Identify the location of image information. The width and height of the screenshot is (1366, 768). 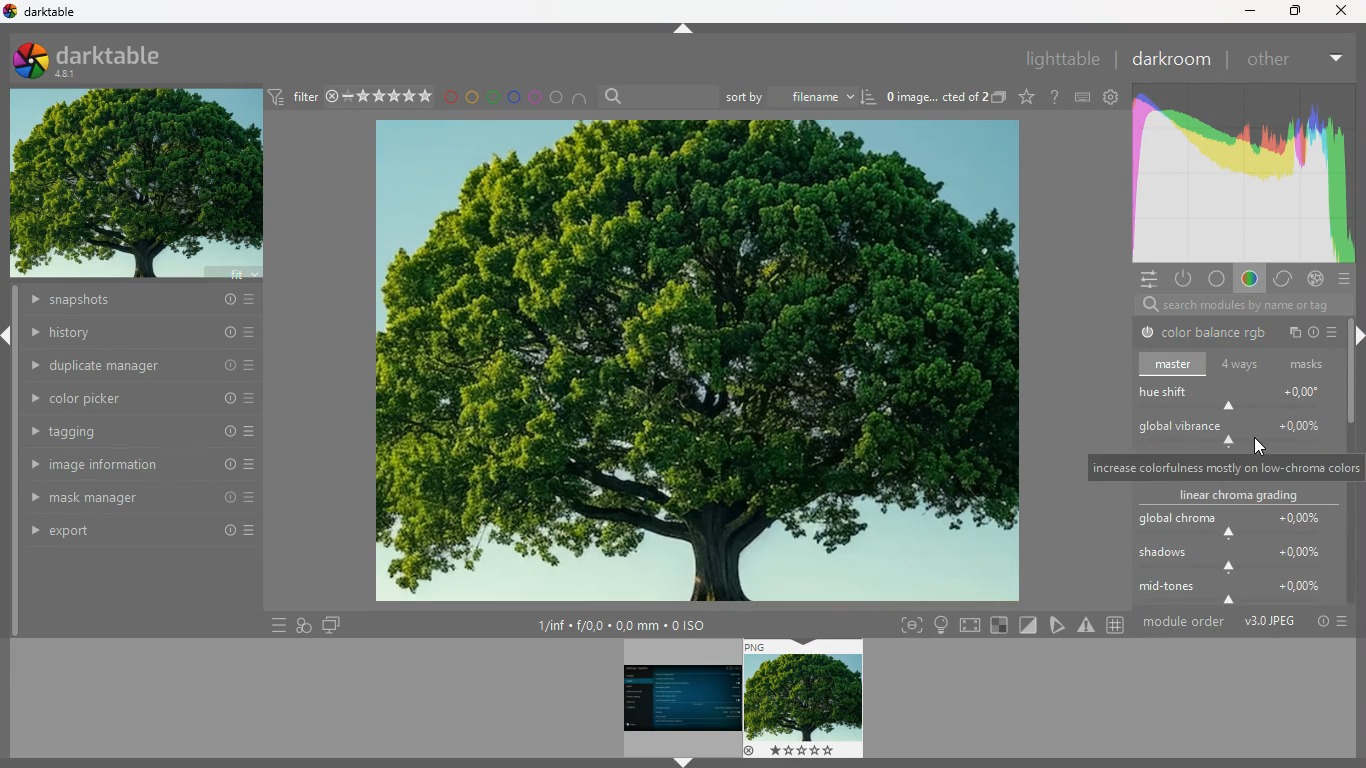
(142, 465).